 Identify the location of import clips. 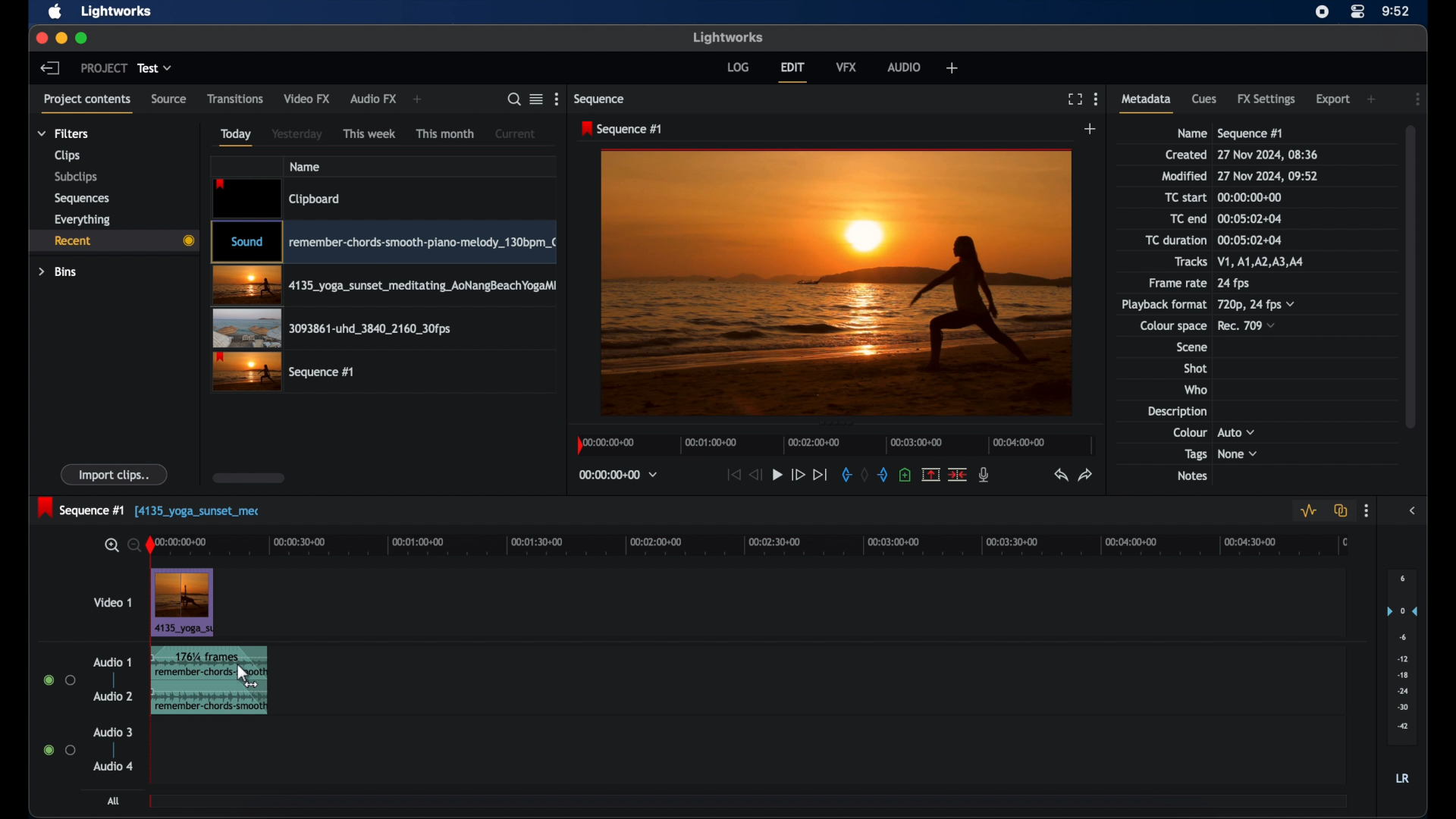
(115, 474).